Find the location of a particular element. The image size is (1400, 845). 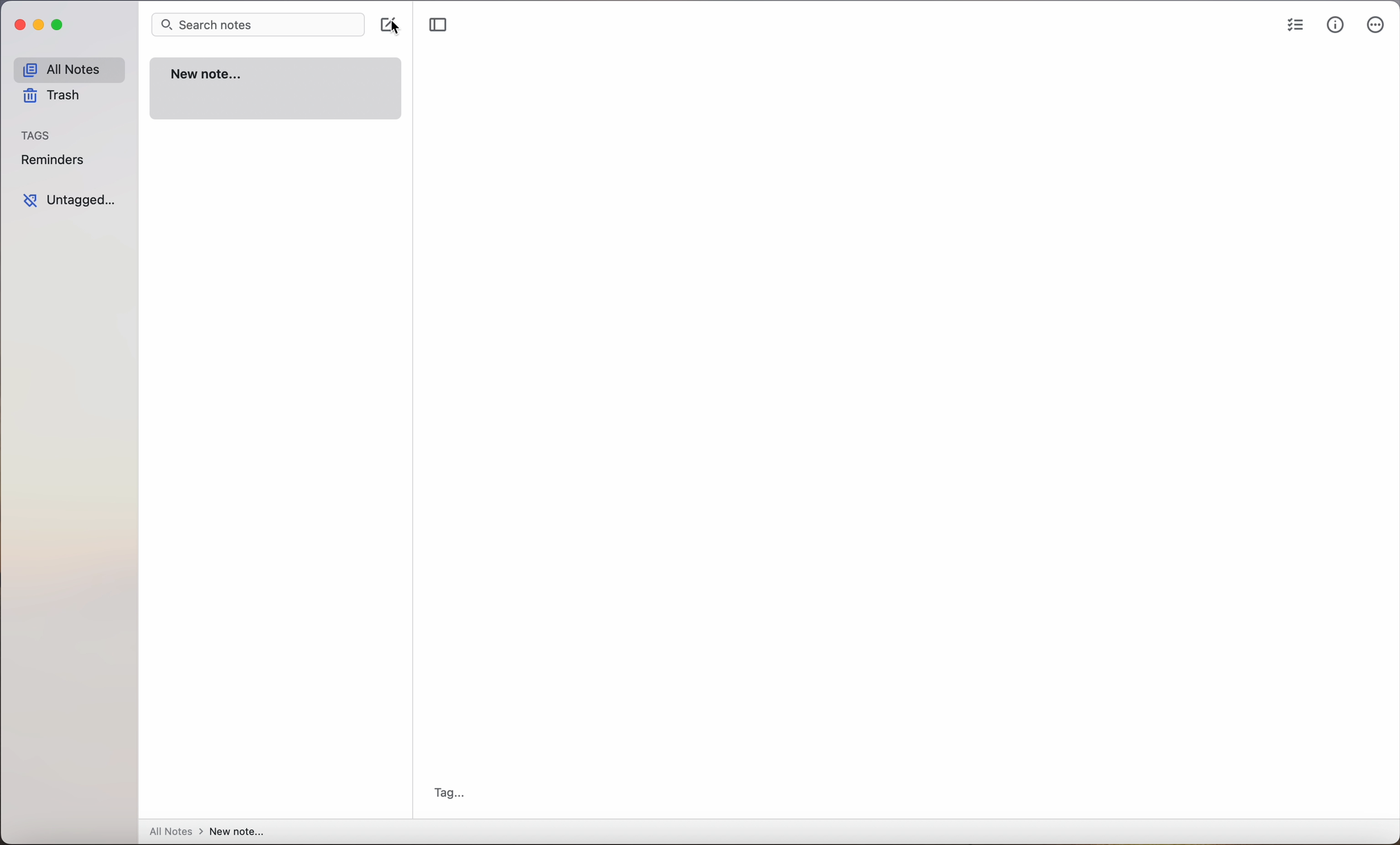

checklist is located at coordinates (1296, 26).